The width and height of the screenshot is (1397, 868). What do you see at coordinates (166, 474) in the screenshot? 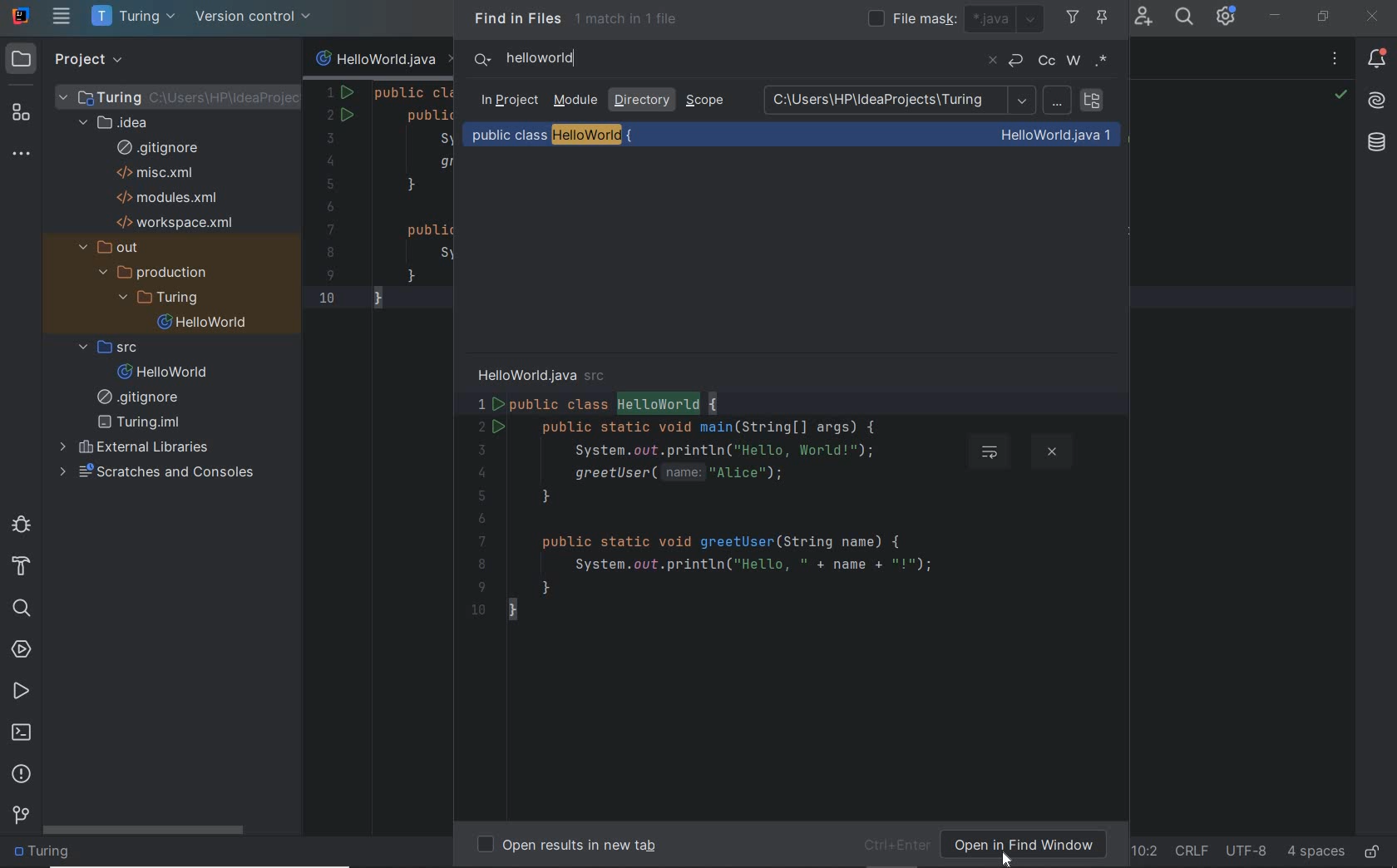
I see `scratches and consloes` at bounding box center [166, 474].